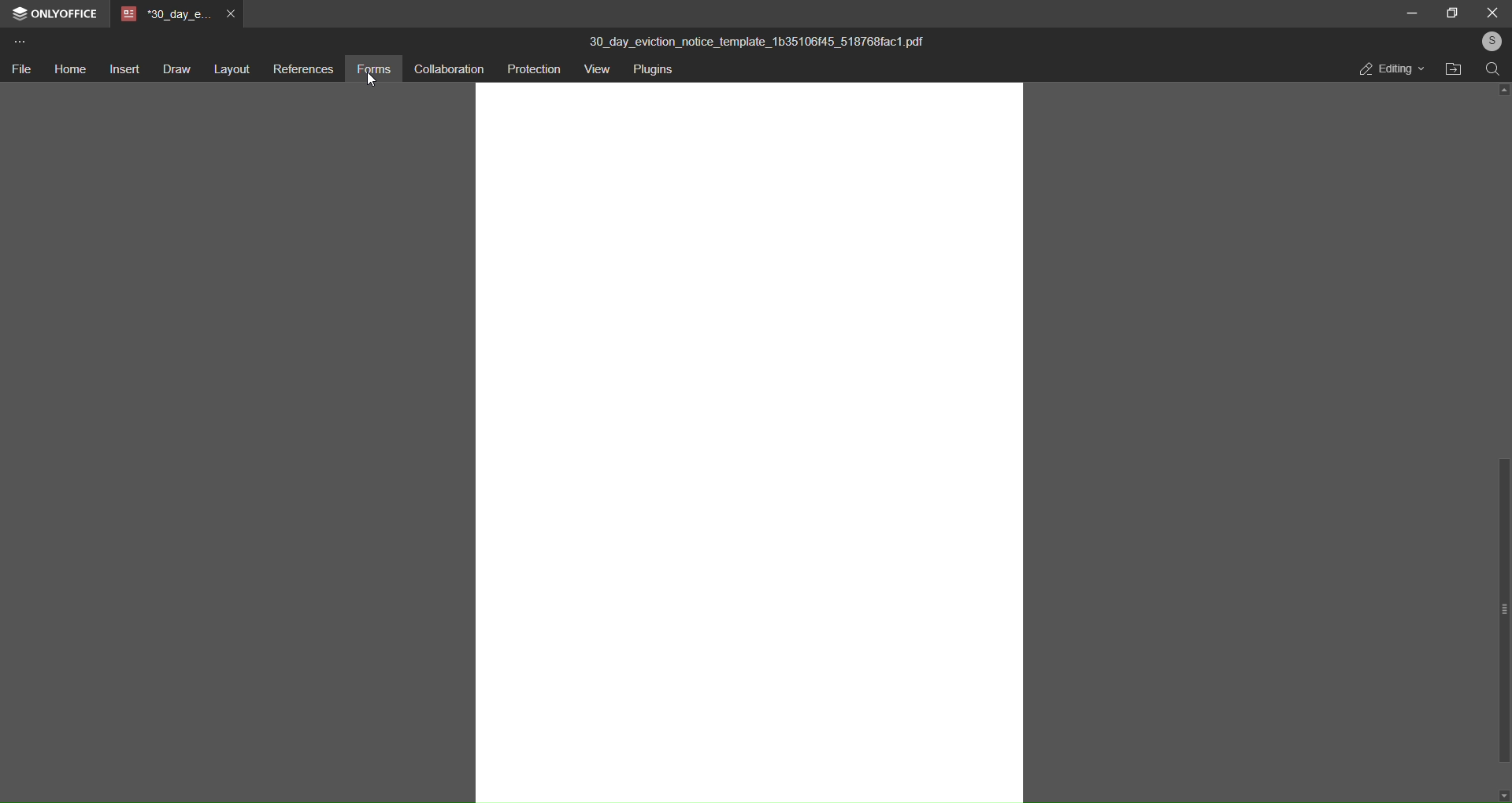  Describe the element at coordinates (300, 68) in the screenshot. I see `references` at that location.